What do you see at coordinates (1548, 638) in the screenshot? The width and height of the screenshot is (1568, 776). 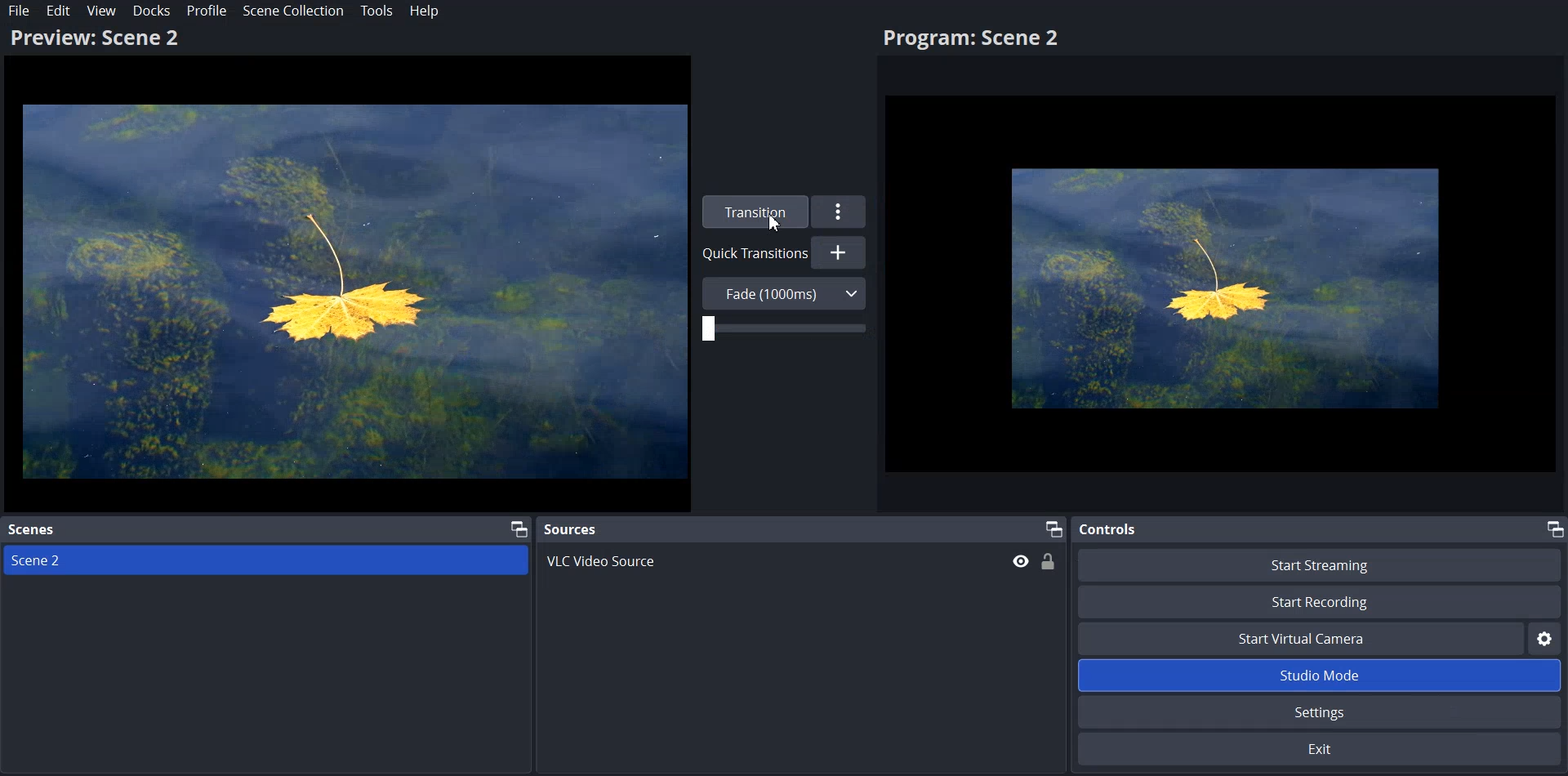 I see `Settings` at bounding box center [1548, 638].